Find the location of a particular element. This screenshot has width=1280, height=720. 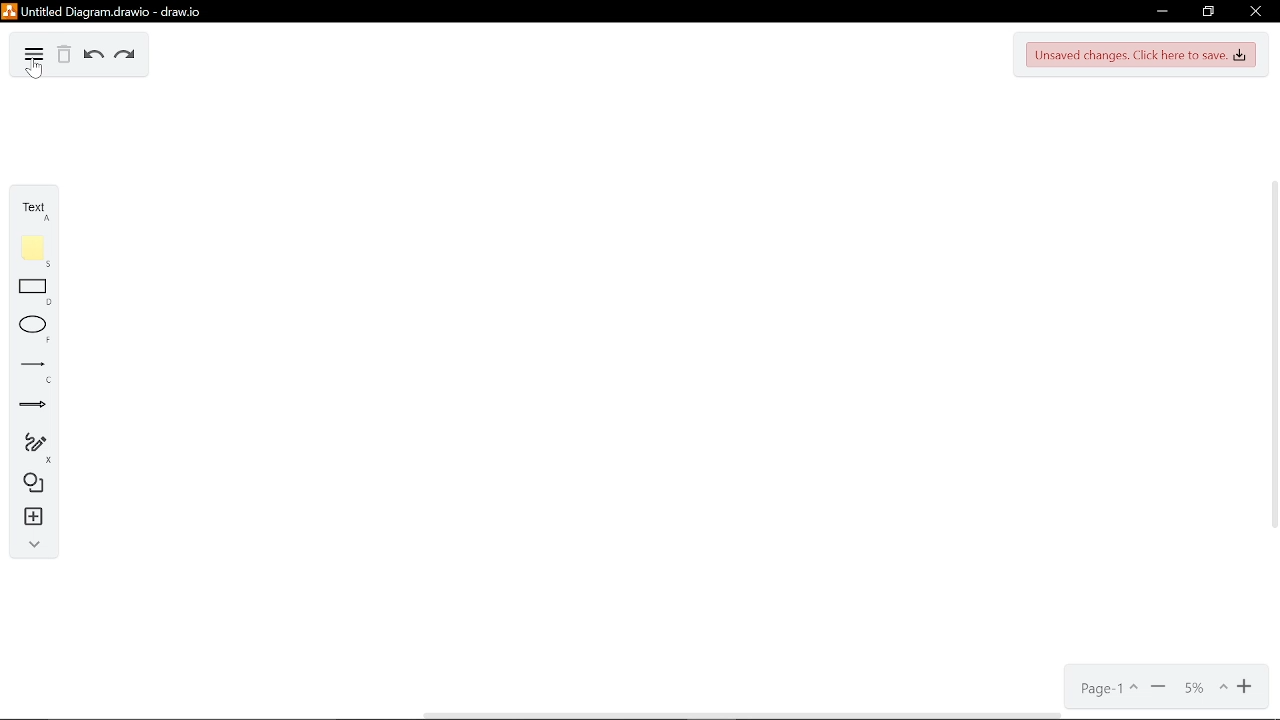

Rectangle is located at coordinates (27, 291).